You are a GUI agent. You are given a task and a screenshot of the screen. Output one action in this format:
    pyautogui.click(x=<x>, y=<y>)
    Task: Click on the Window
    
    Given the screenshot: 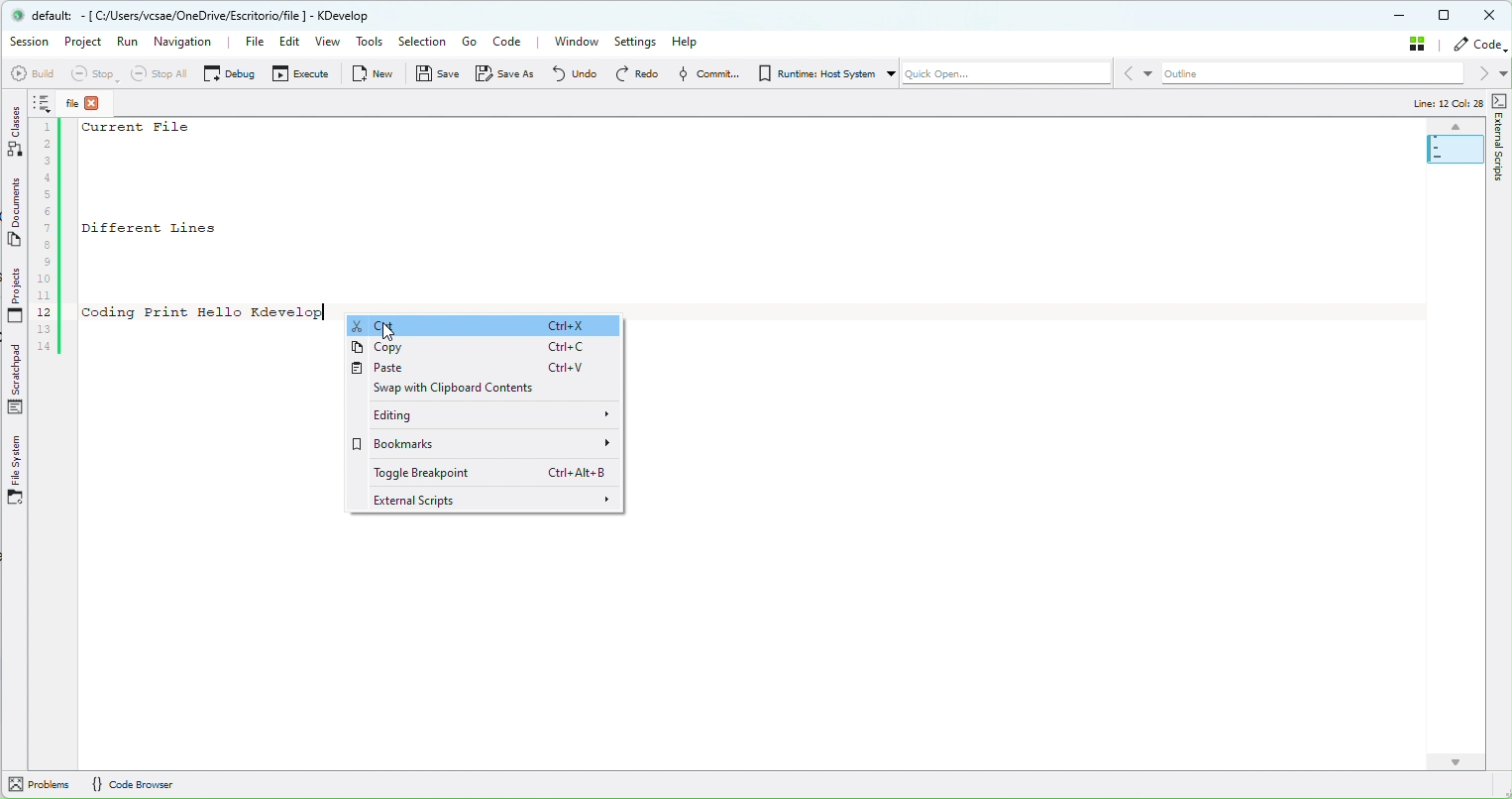 What is the action you would take?
    pyautogui.click(x=572, y=44)
    